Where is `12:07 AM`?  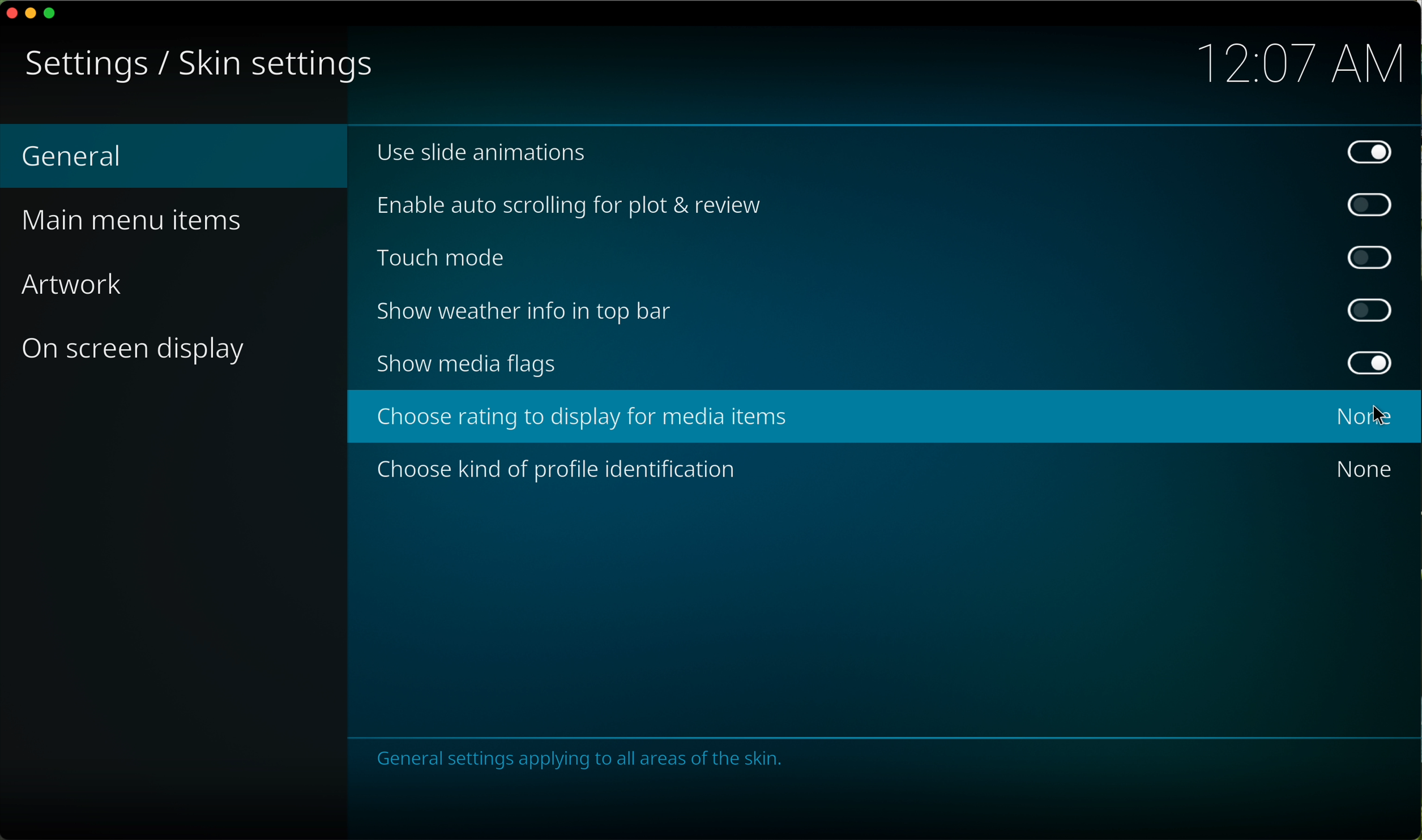
12:07 AM is located at coordinates (1299, 63).